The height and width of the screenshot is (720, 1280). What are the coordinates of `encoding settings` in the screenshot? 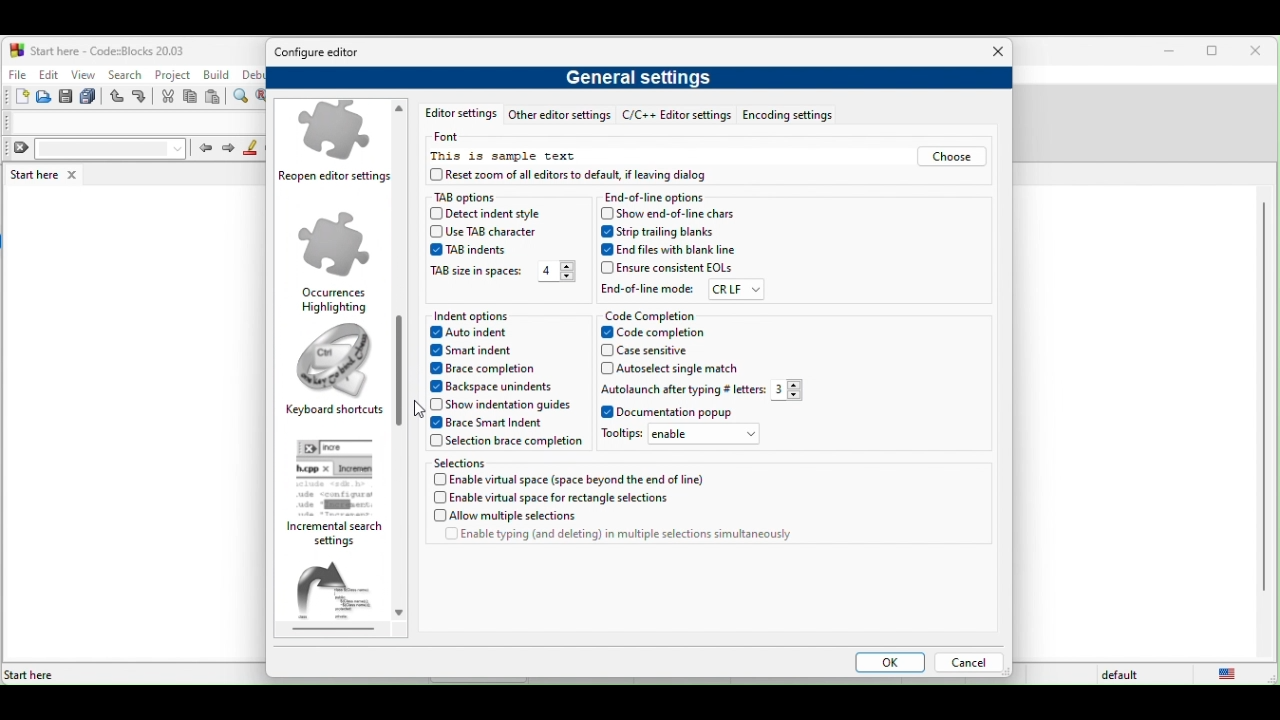 It's located at (797, 116).